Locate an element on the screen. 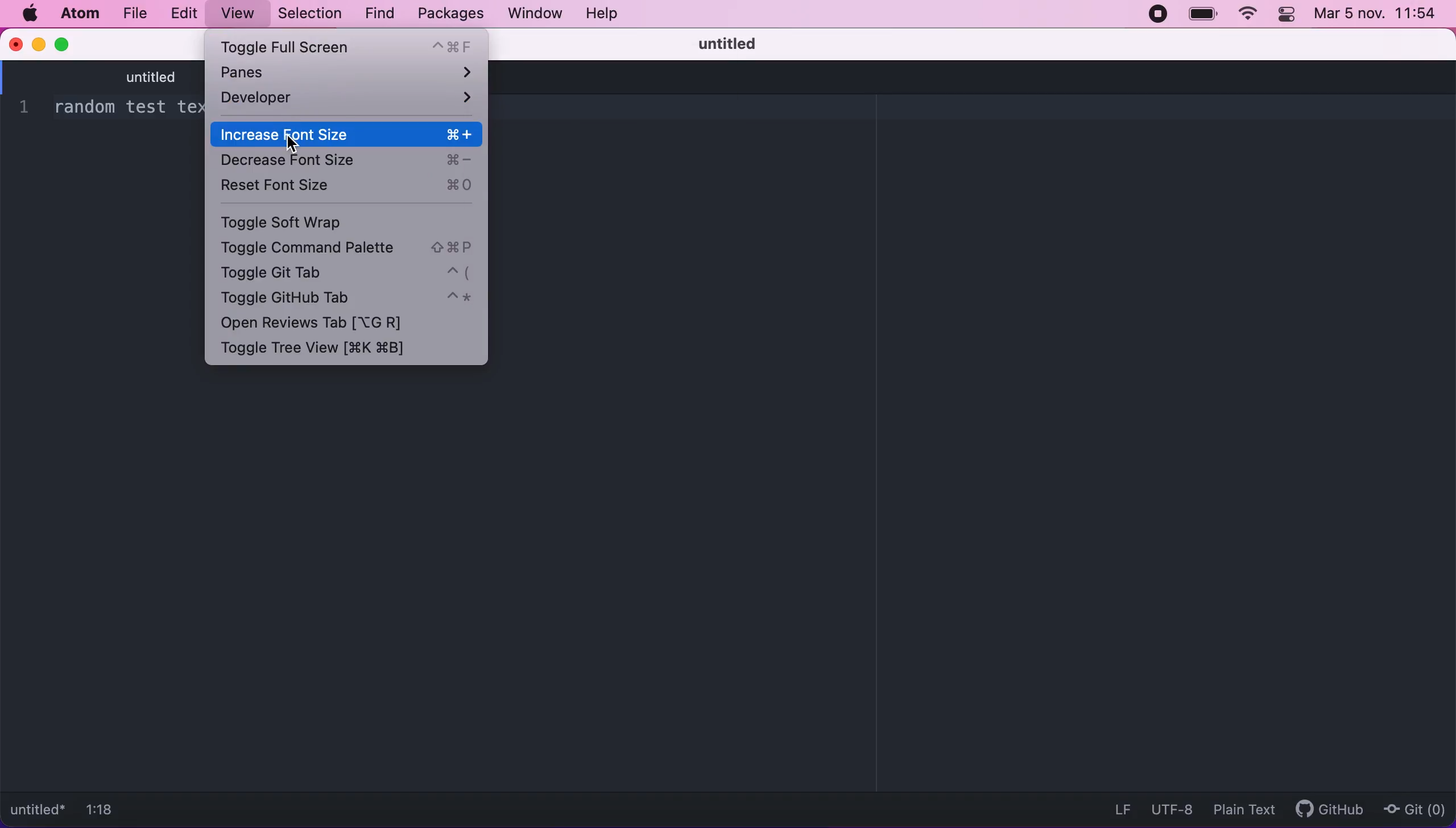  toggle tree view is located at coordinates (322, 350).